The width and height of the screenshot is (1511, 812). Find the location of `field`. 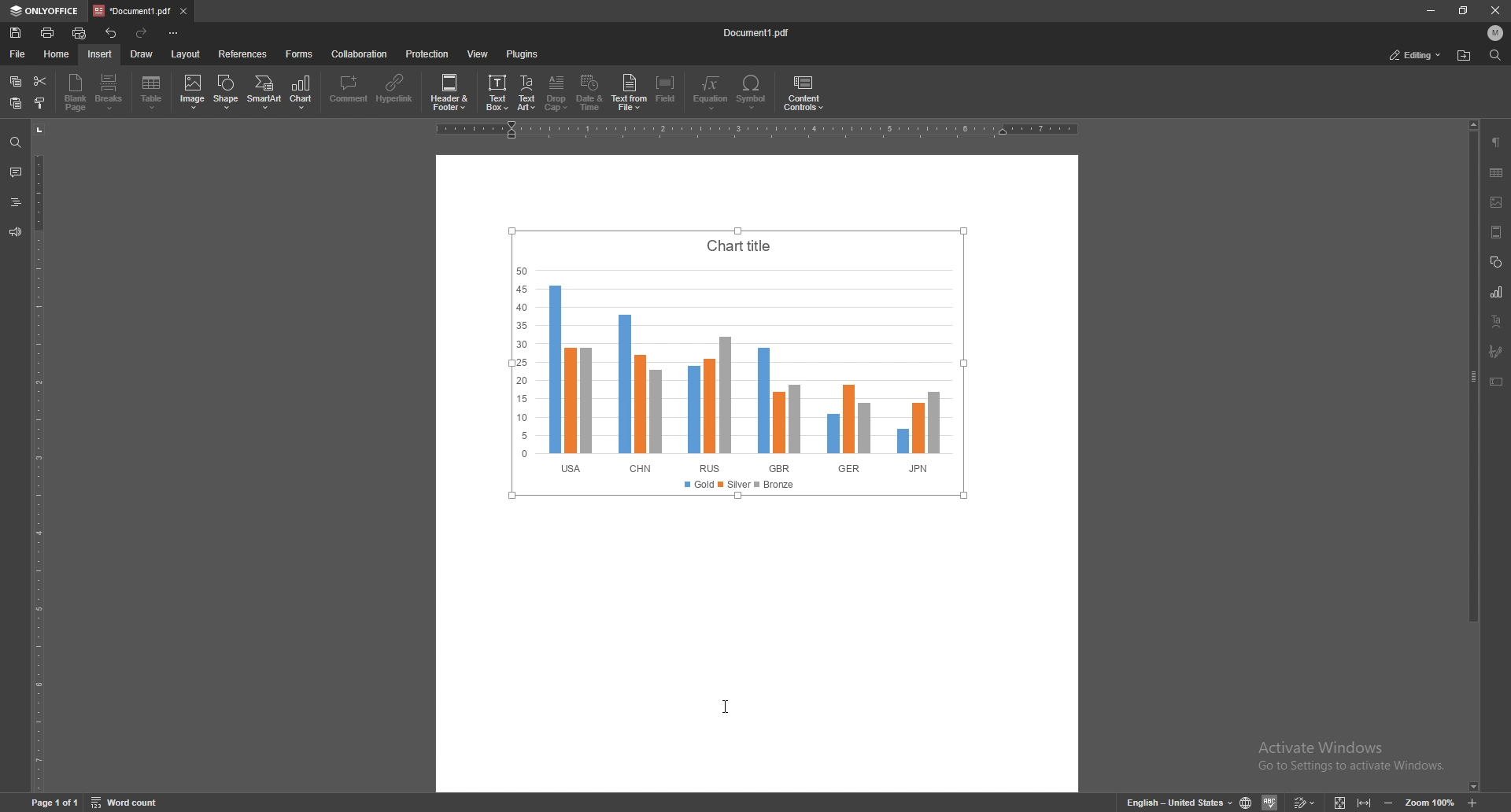

field is located at coordinates (667, 92).